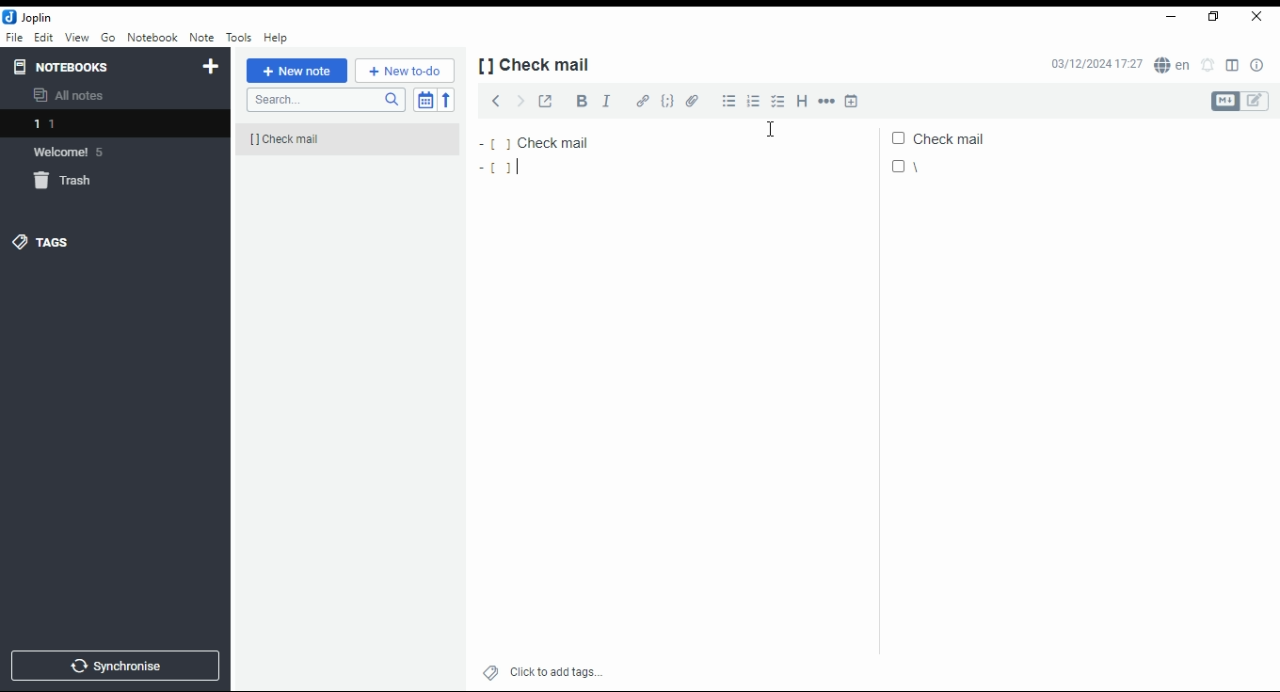 This screenshot has height=692, width=1280. Describe the element at coordinates (28, 16) in the screenshot. I see `icon` at that location.